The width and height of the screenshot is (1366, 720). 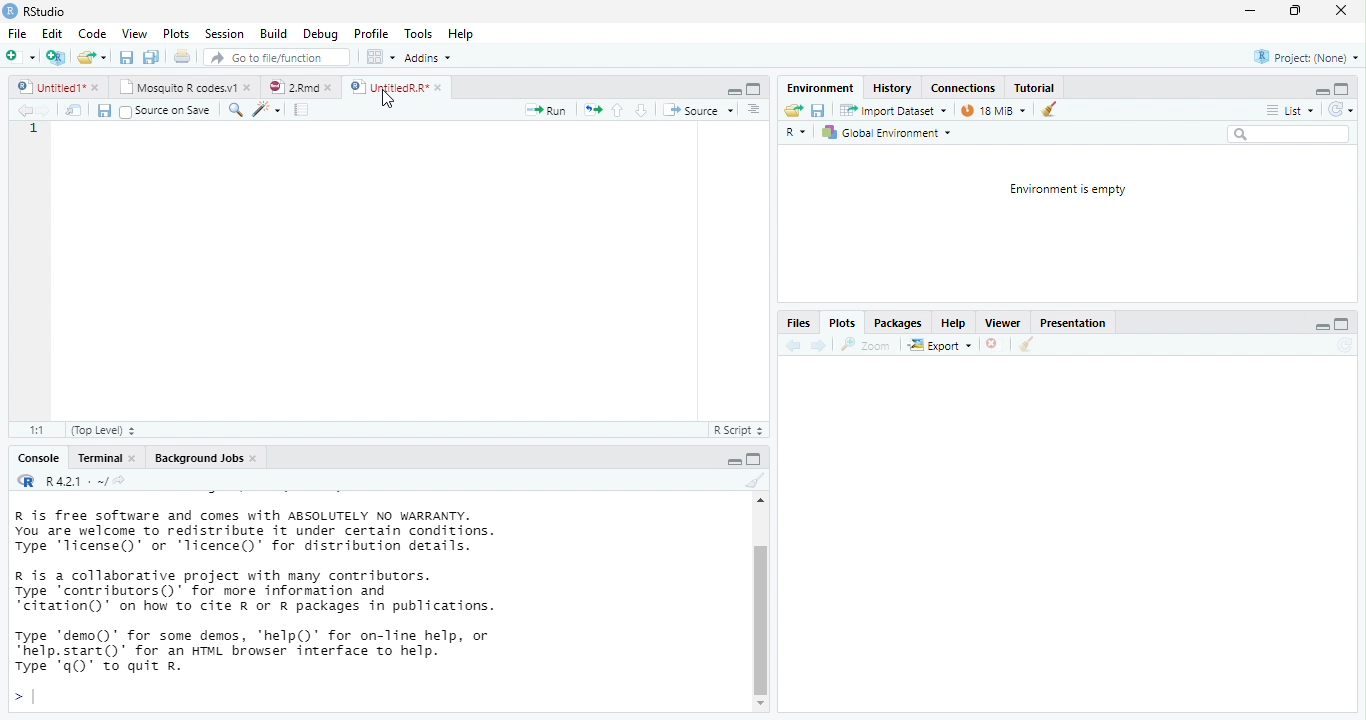 What do you see at coordinates (939, 346) in the screenshot?
I see `export` at bounding box center [939, 346].